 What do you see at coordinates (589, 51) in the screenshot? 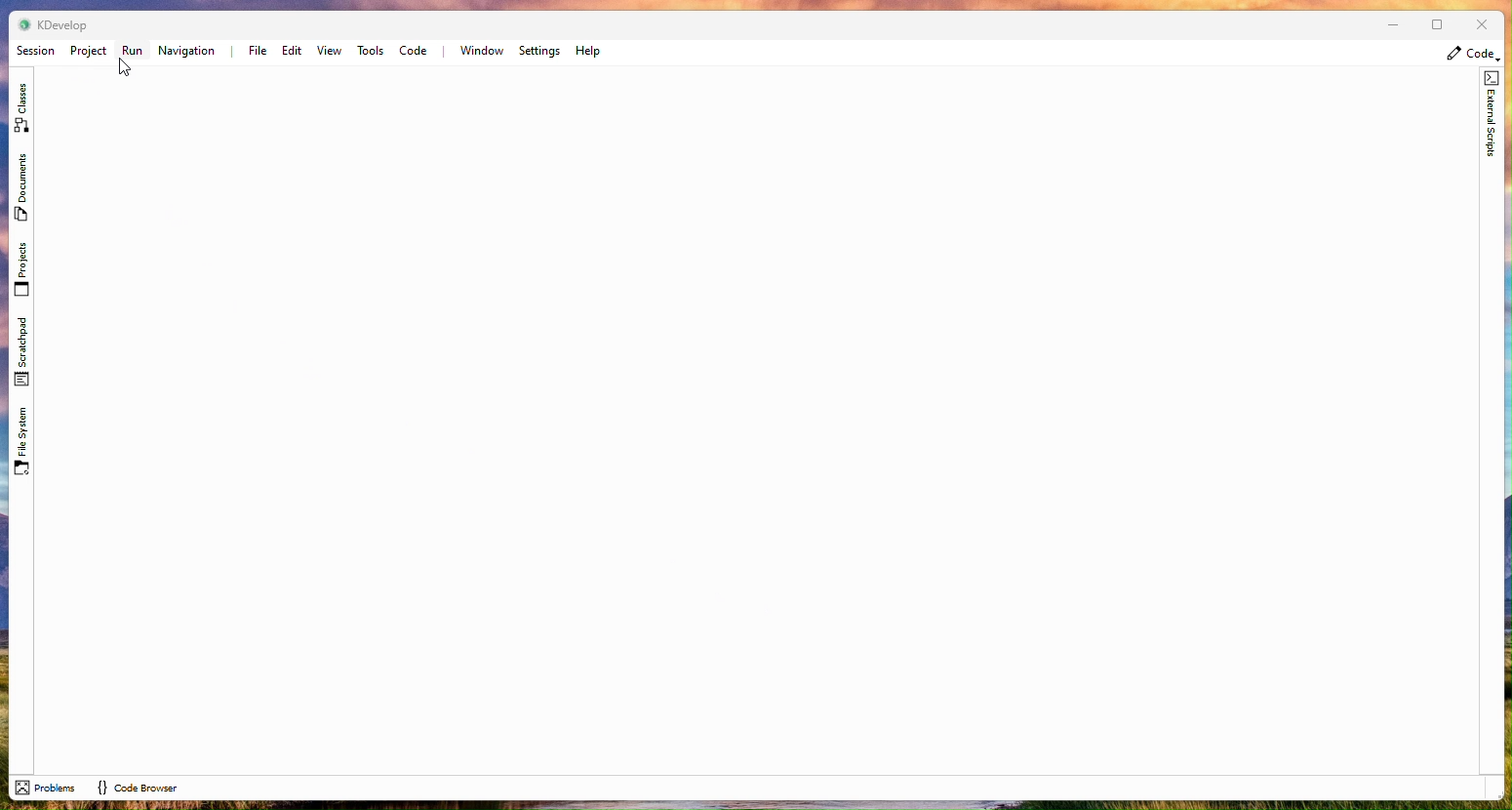
I see `Help` at bounding box center [589, 51].